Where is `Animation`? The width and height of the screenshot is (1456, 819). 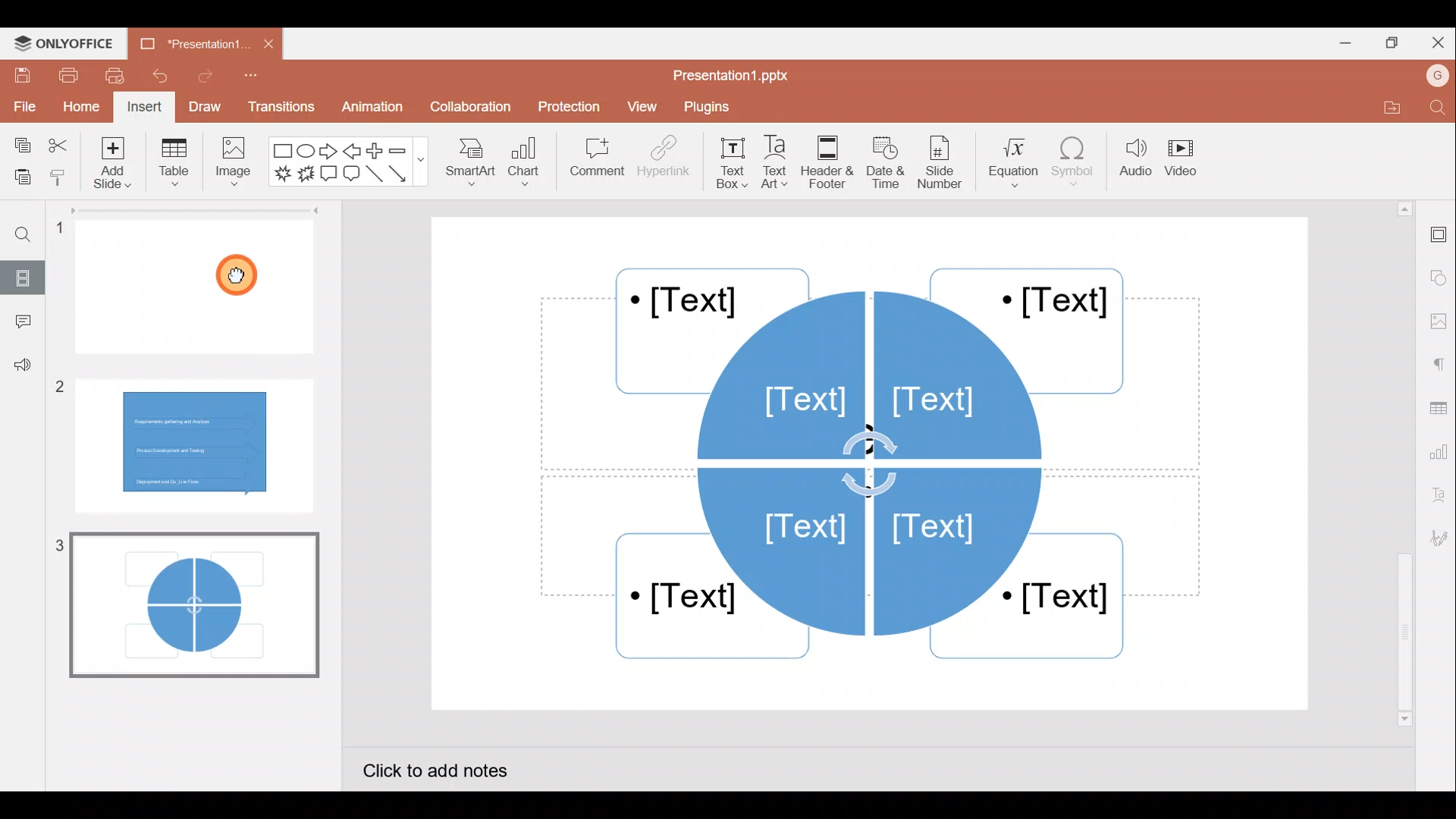
Animation is located at coordinates (369, 106).